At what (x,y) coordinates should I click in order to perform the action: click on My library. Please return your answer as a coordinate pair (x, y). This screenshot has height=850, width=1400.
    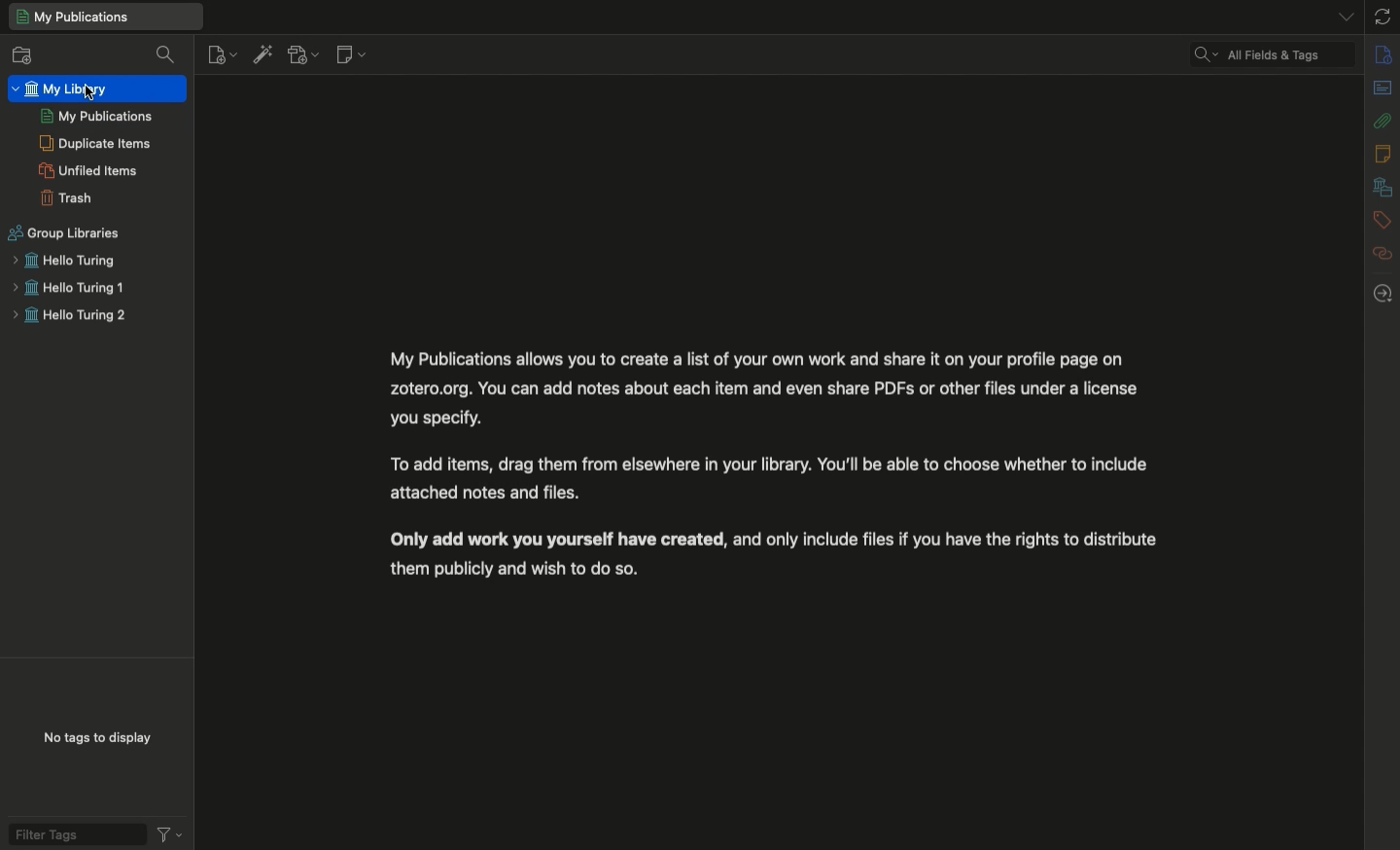
    Looking at the image, I should click on (104, 17).